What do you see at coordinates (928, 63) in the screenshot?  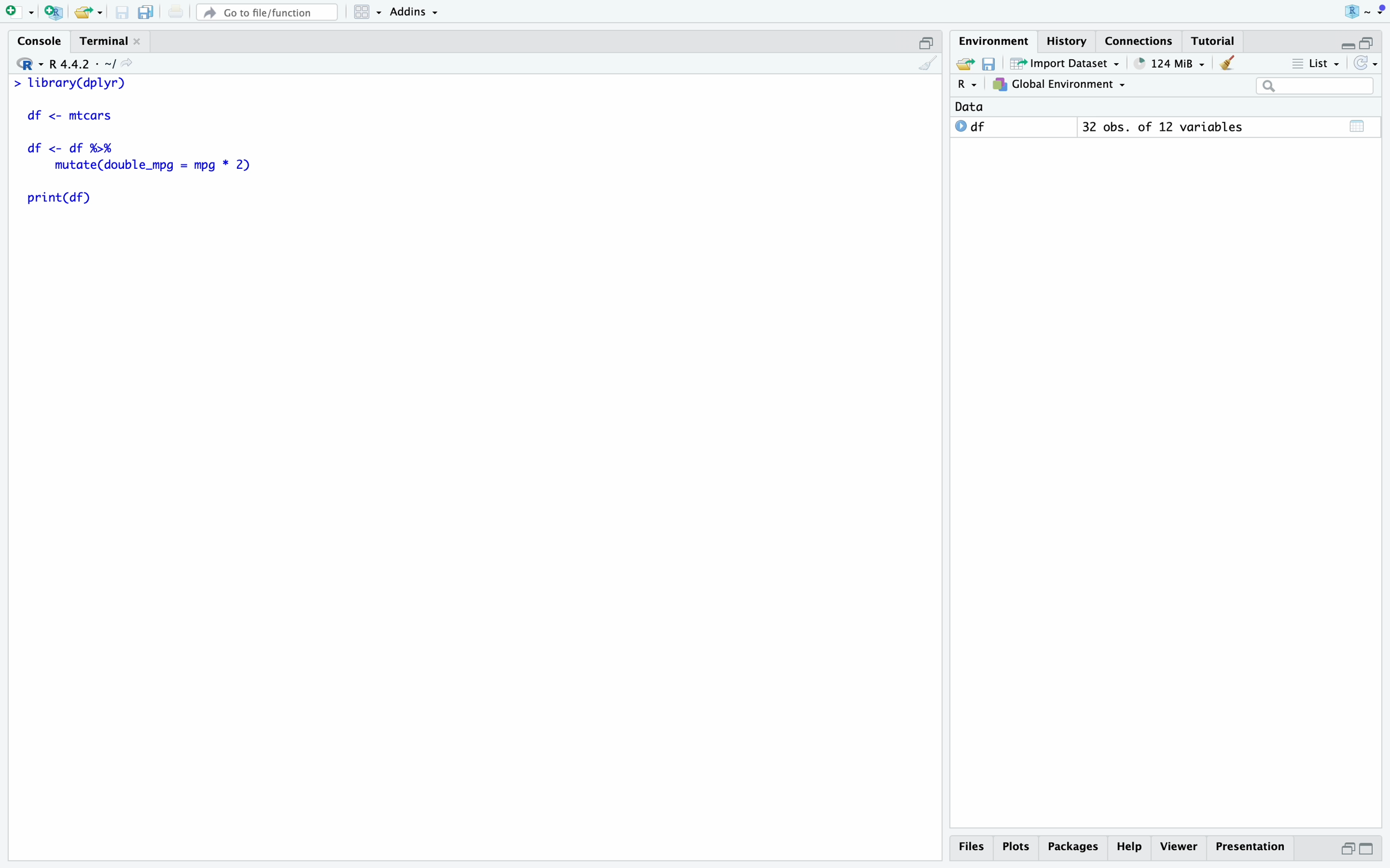 I see `clean` at bounding box center [928, 63].